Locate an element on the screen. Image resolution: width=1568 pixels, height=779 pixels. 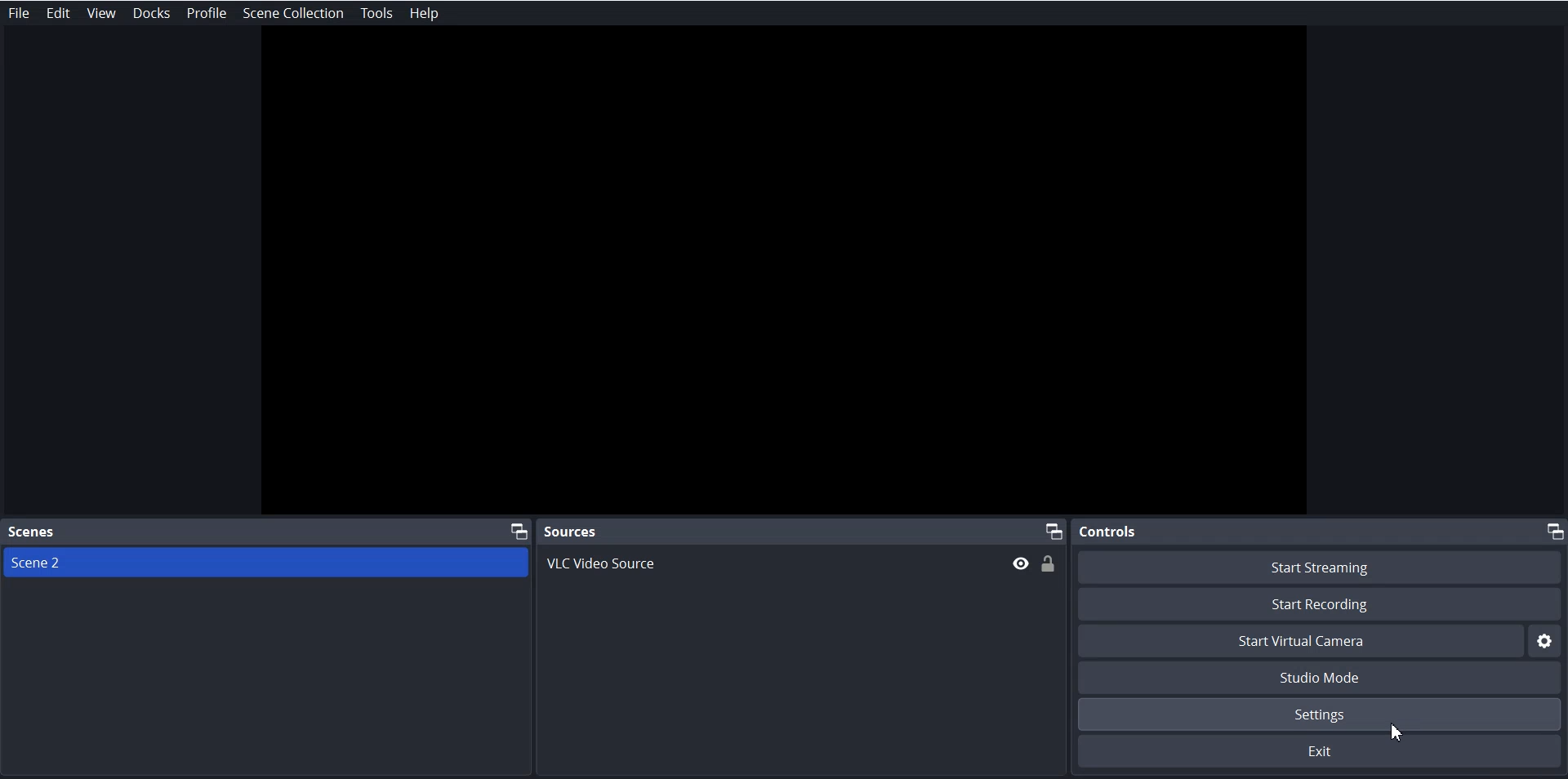
Maximize is located at coordinates (1553, 532).